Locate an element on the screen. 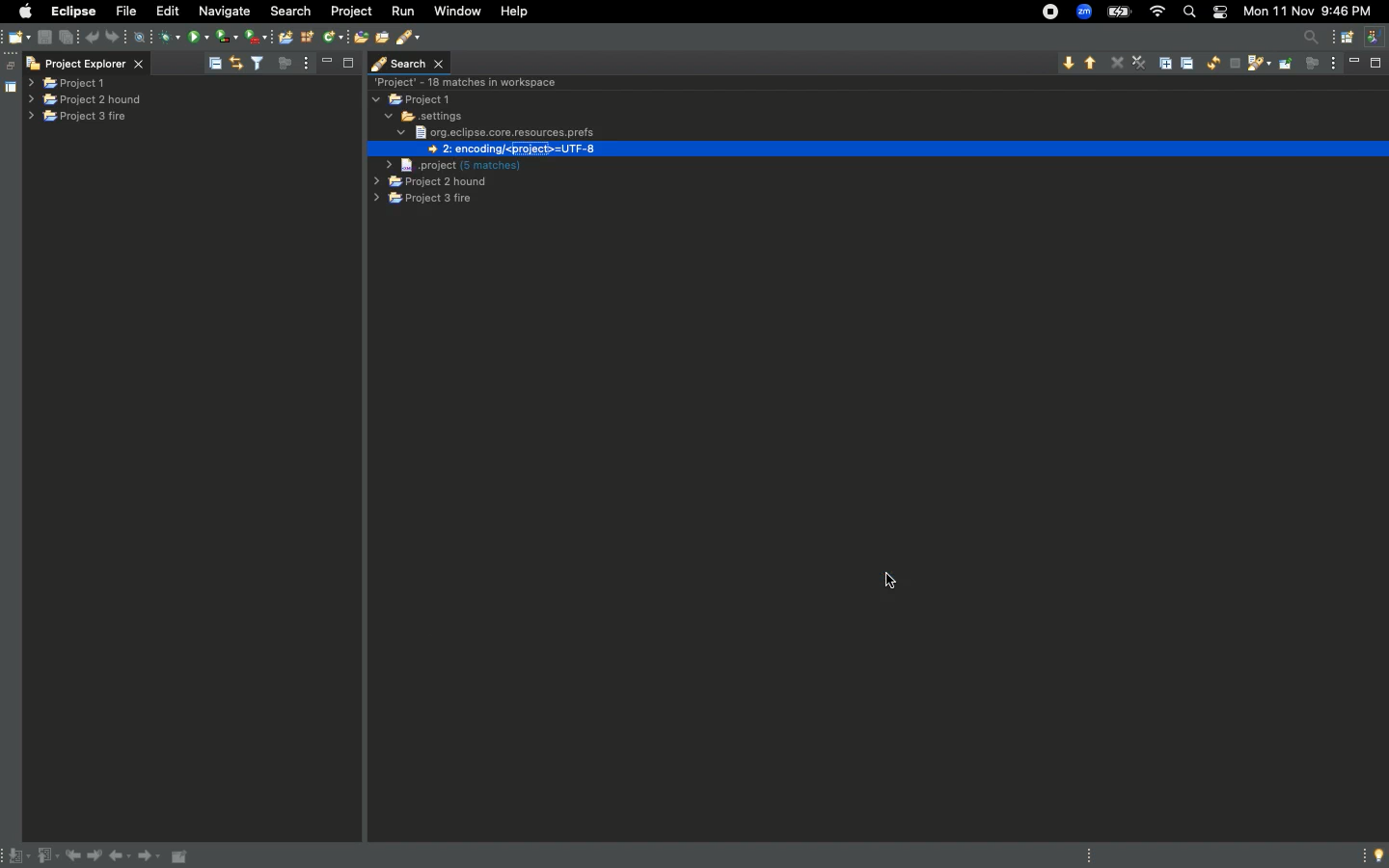 Image resolution: width=1389 pixels, height=868 pixels. Internet is located at coordinates (1158, 13).